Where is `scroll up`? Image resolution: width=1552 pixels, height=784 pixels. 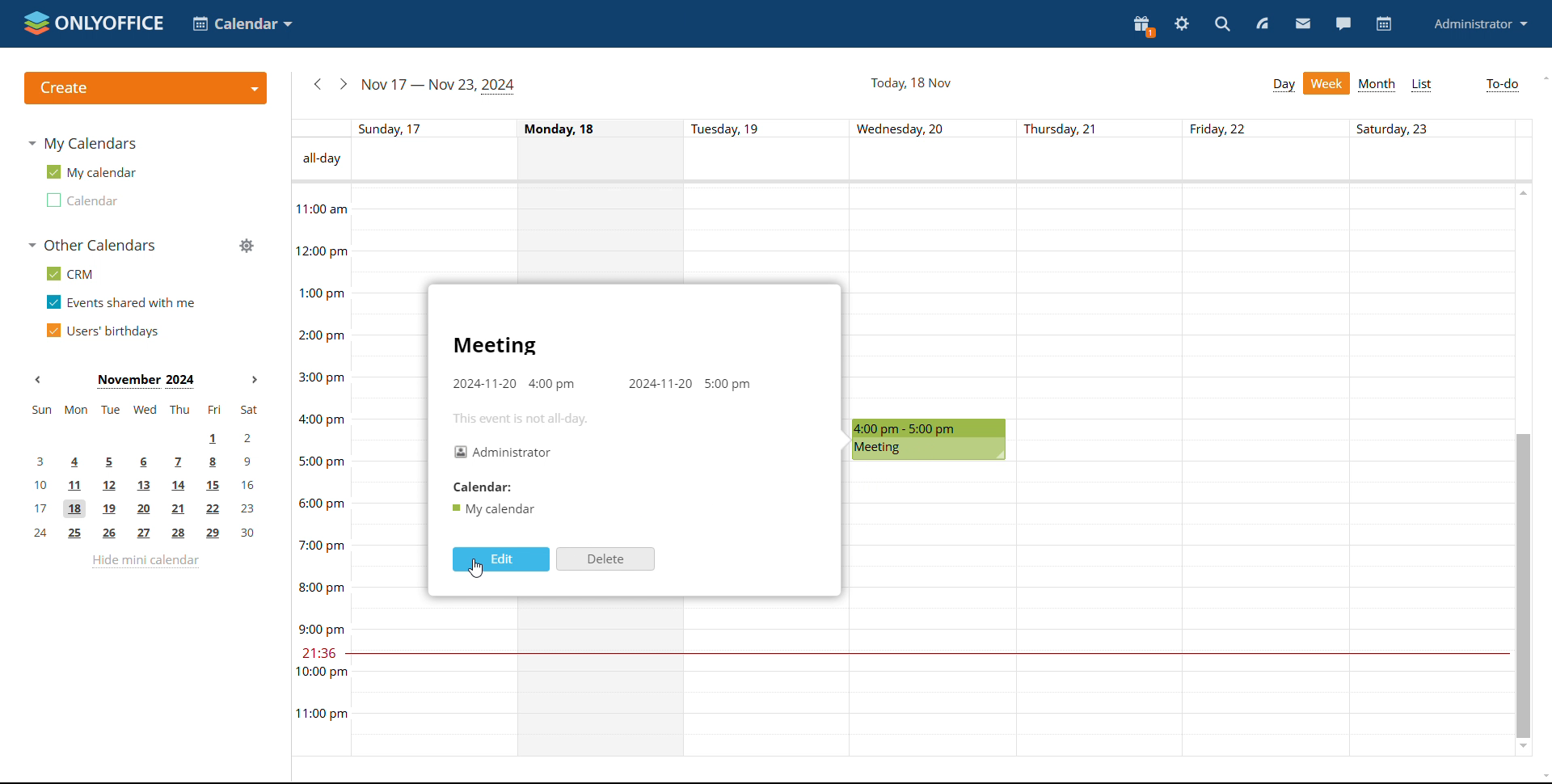 scroll up is located at coordinates (1542, 78).